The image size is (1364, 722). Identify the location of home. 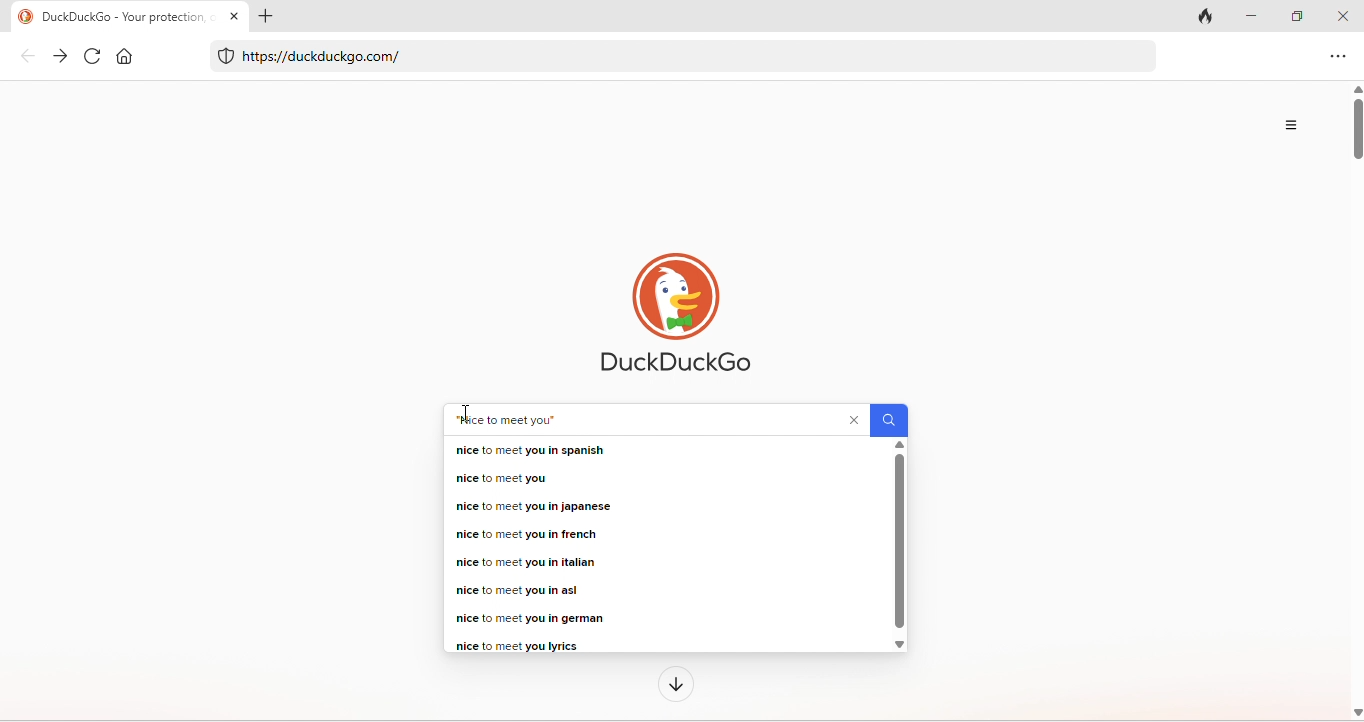
(127, 57).